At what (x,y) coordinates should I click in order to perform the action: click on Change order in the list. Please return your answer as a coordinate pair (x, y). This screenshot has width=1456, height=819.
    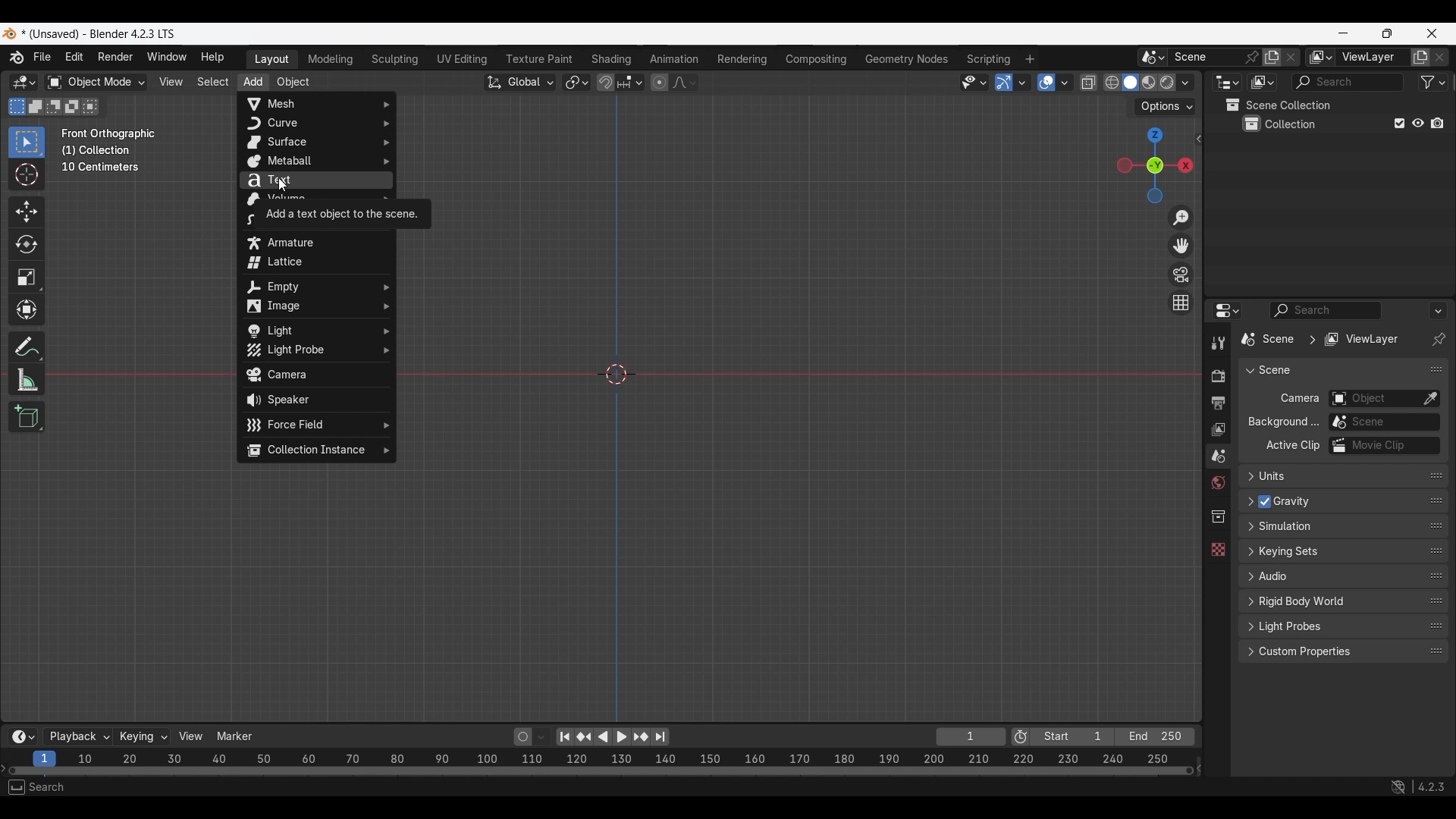
    Looking at the image, I should click on (1436, 651).